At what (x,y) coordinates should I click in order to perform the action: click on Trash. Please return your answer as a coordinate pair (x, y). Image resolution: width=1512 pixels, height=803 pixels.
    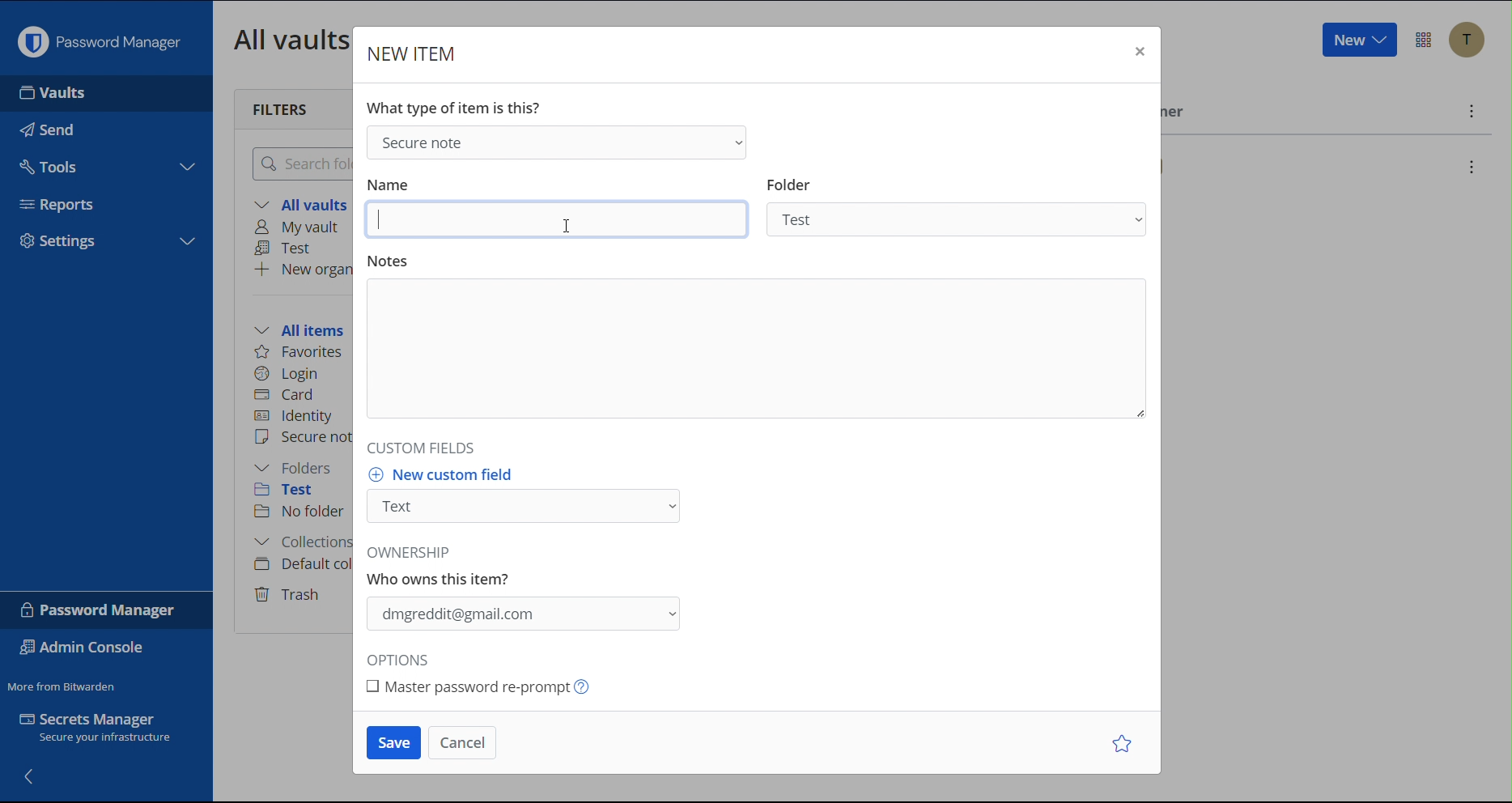
    Looking at the image, I should click on (290, 592).